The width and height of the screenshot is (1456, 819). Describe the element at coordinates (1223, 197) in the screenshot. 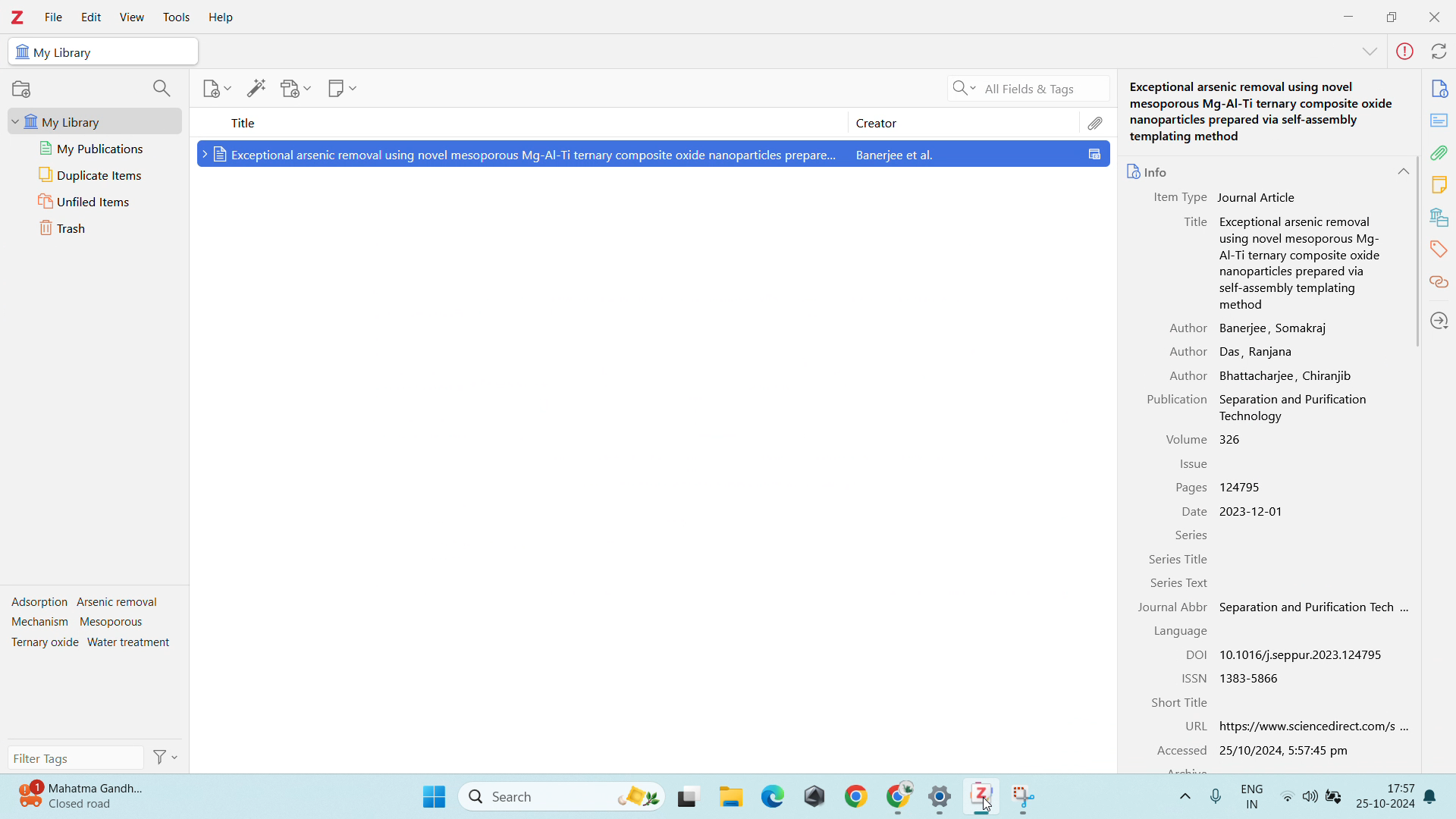

I see `Item Type Journal Article` at that location.